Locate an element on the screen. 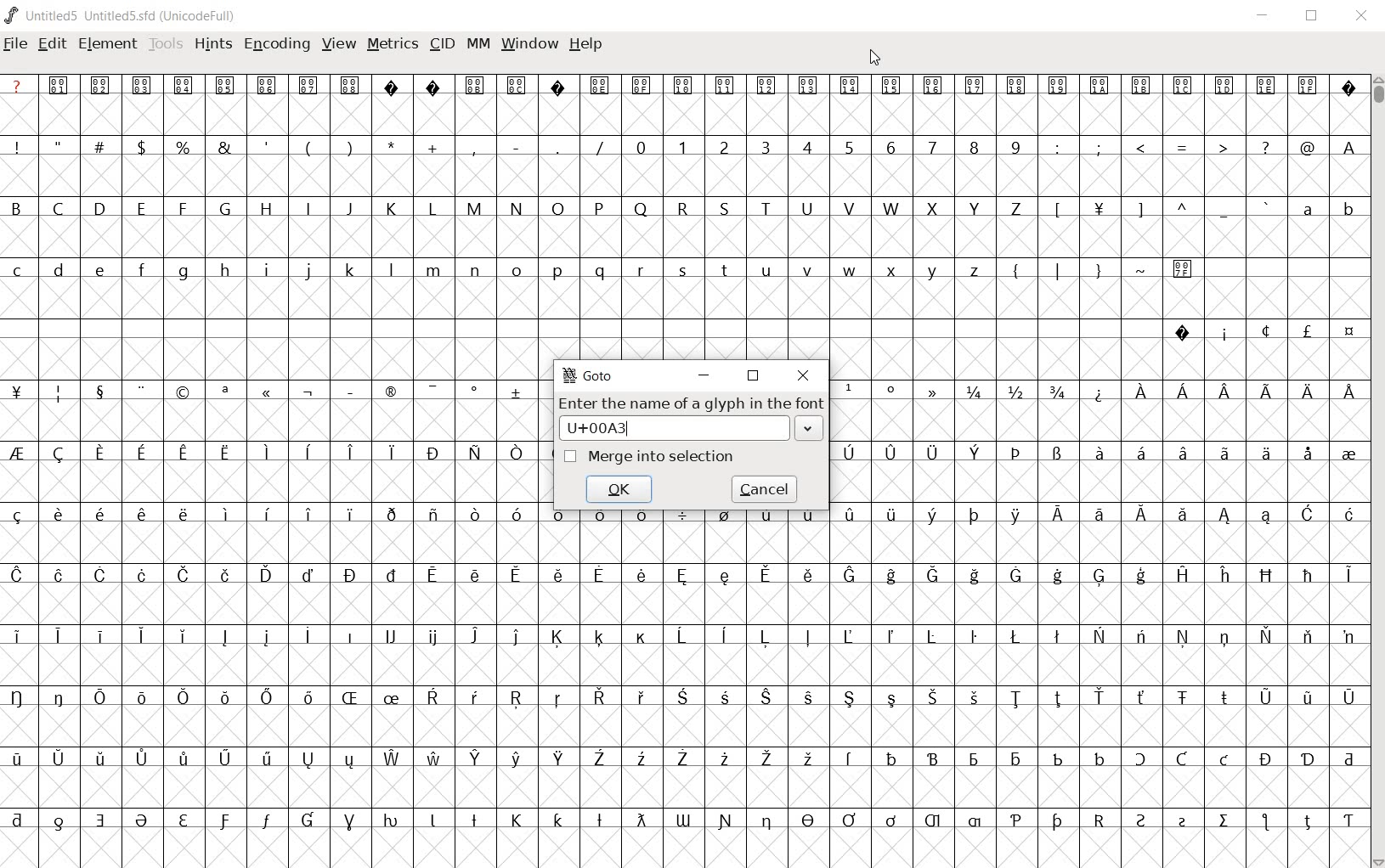  Symbol is located at coordinates (267, 759).